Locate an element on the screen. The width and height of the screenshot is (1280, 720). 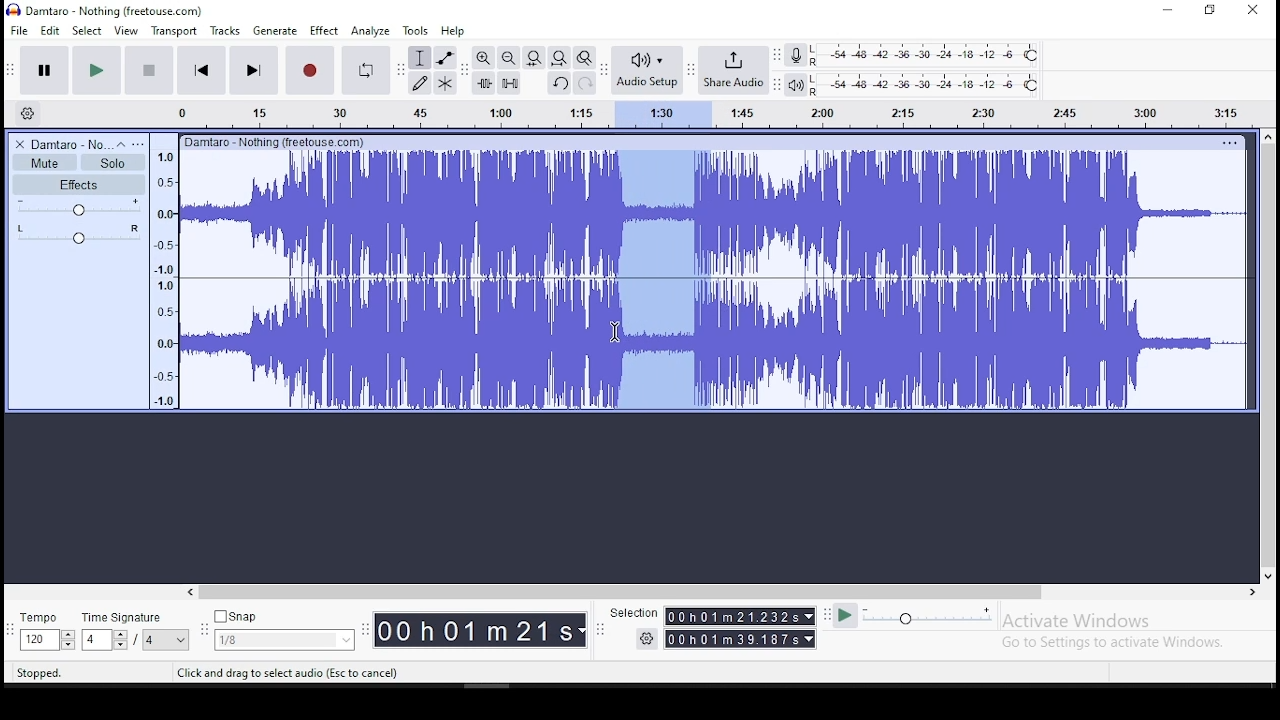
 is located at coordinates (601, 630).